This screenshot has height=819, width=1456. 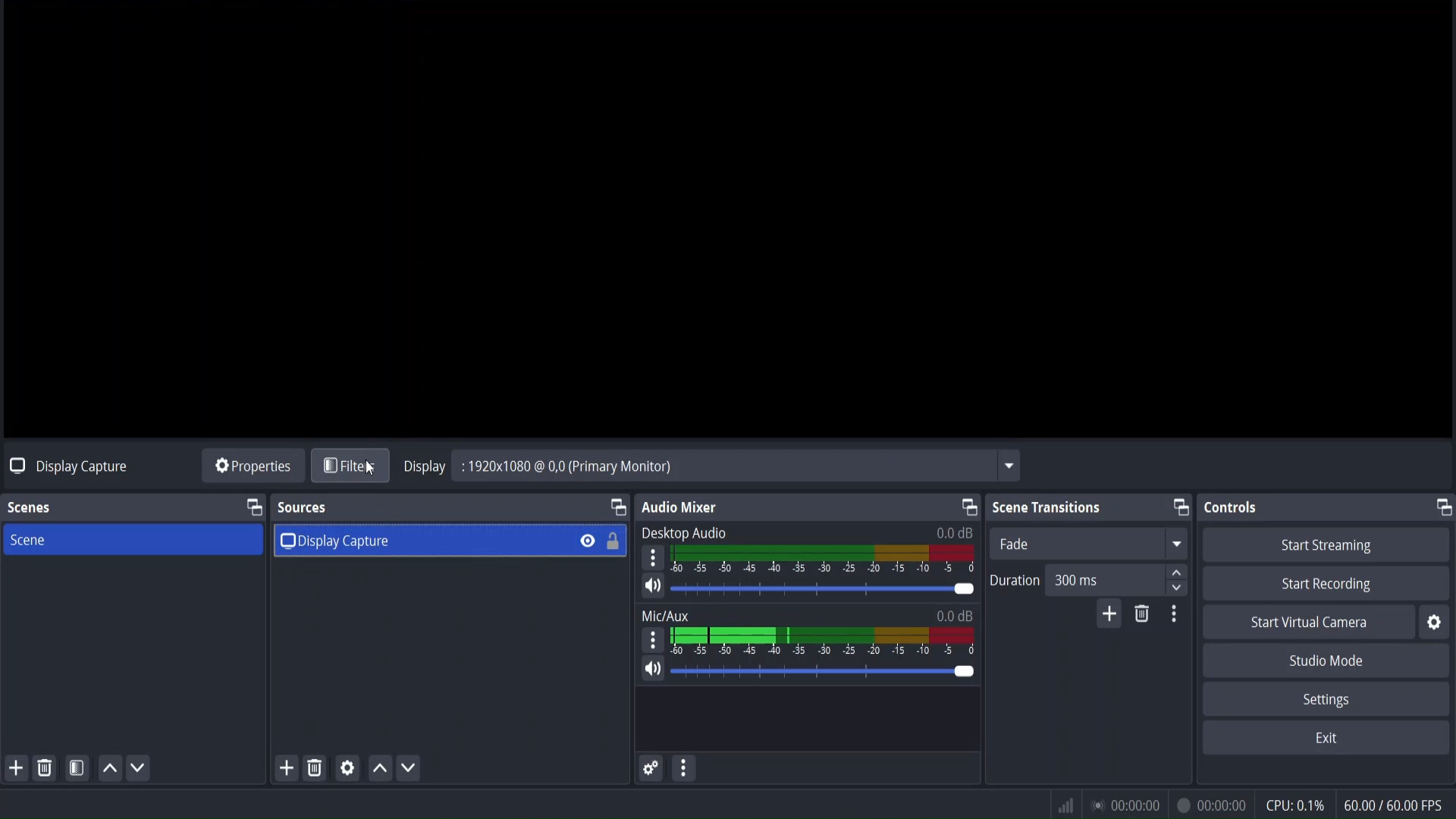 What do you see at coordinates (654, 670) in the screenshot?
I see `mute` at bounding box center [654, 670].